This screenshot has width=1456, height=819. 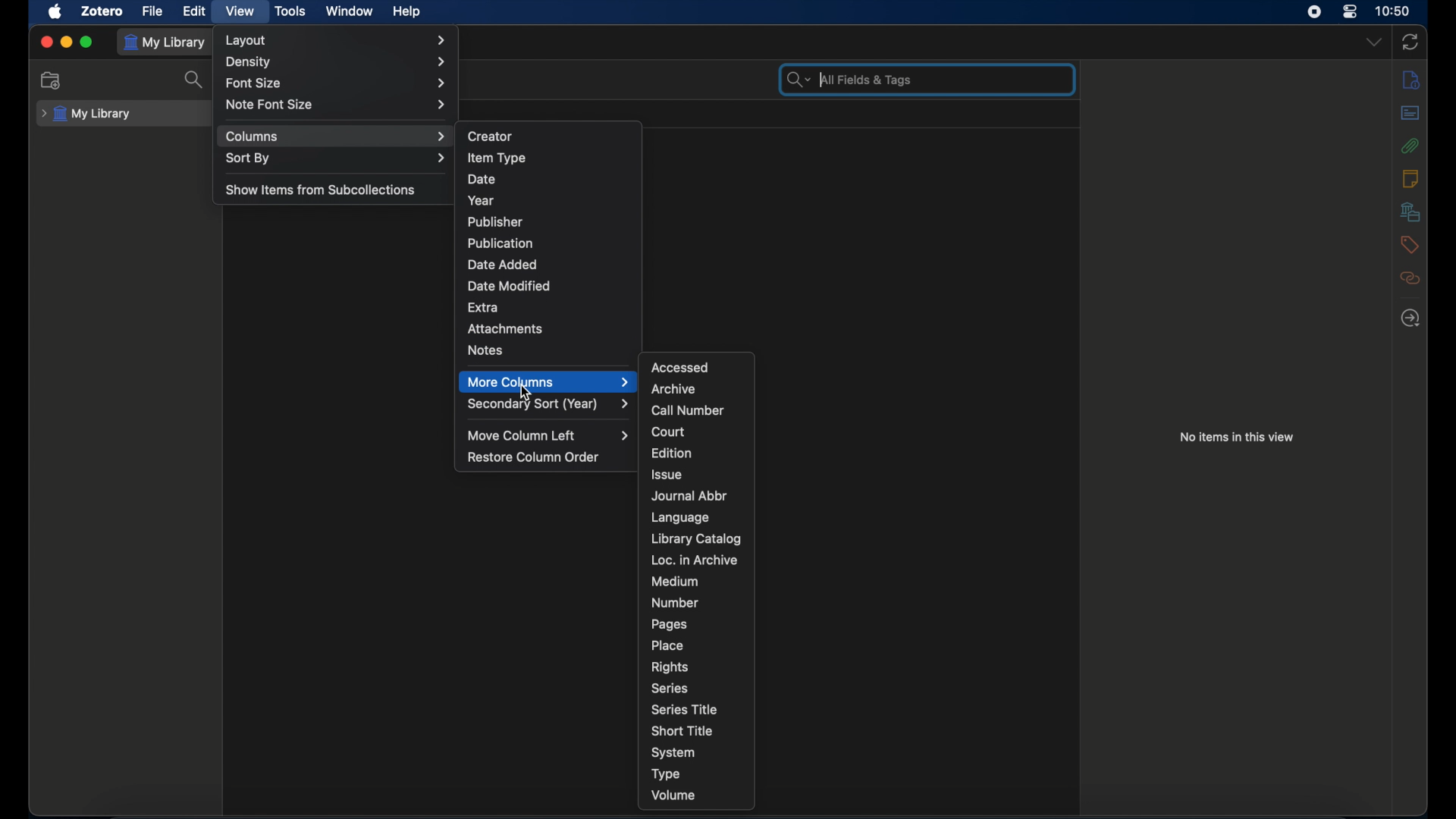 I want to click on screen recorder, so click(x=1313, y=12).